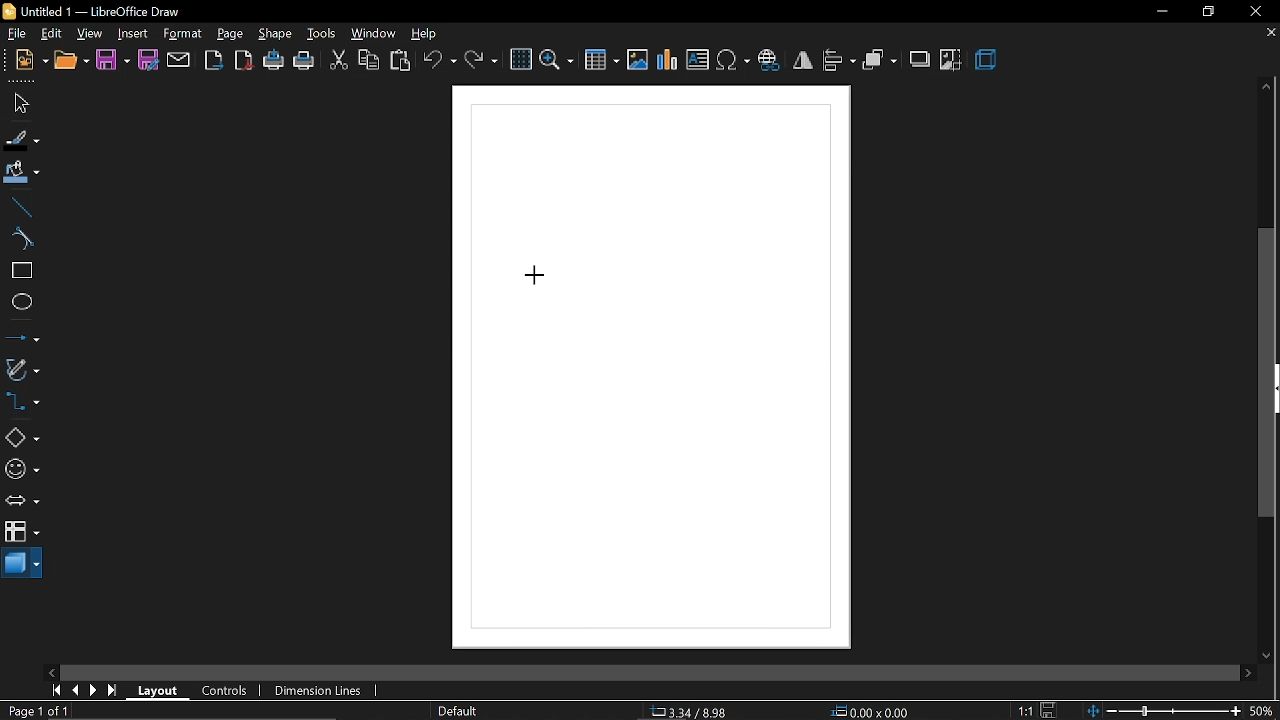 This screenshot has height=720, width=1280. I want to click on controls, so click(227, 691).